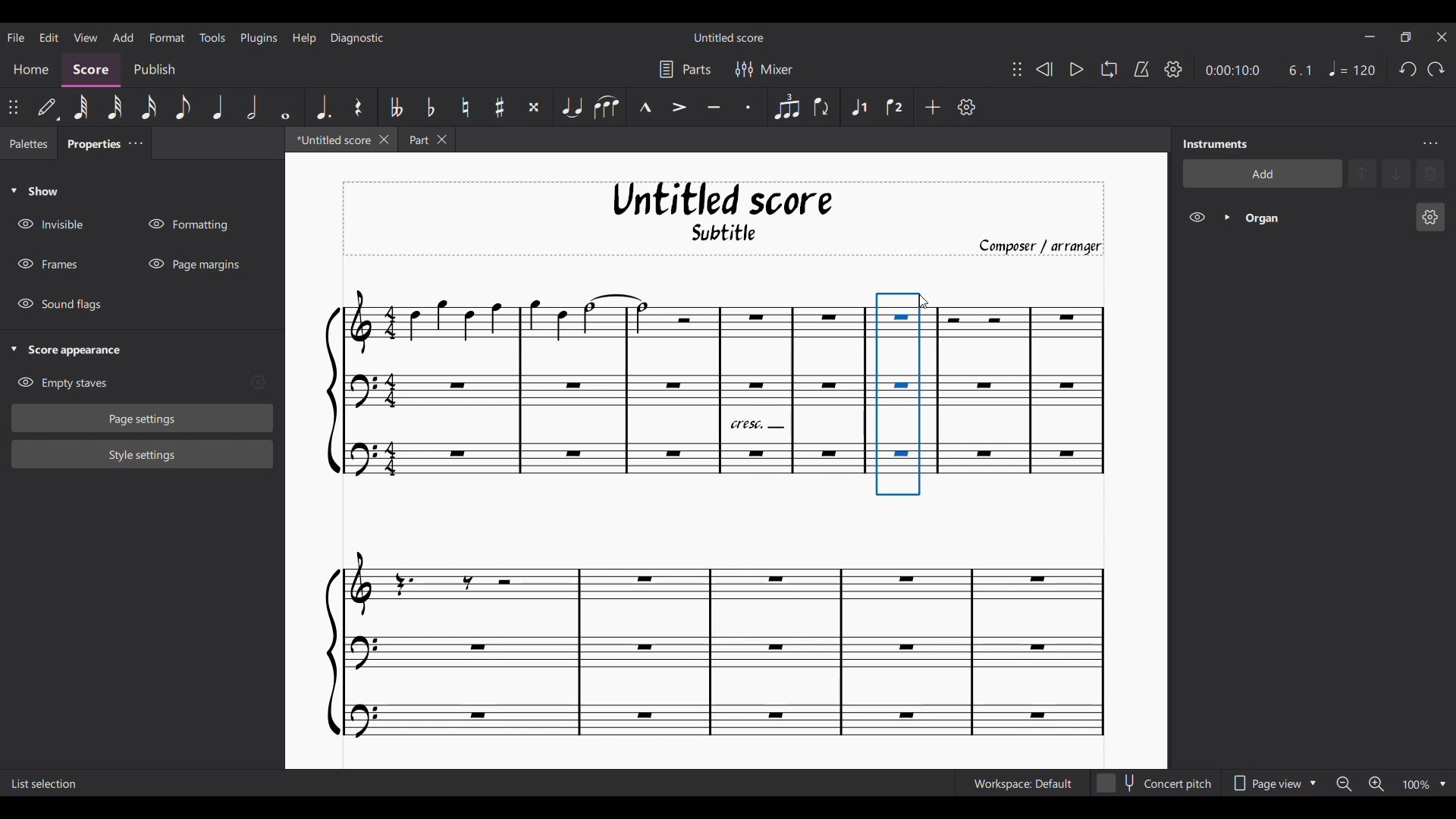  I want to click on Collapse Score appearance, so click(67, 351).